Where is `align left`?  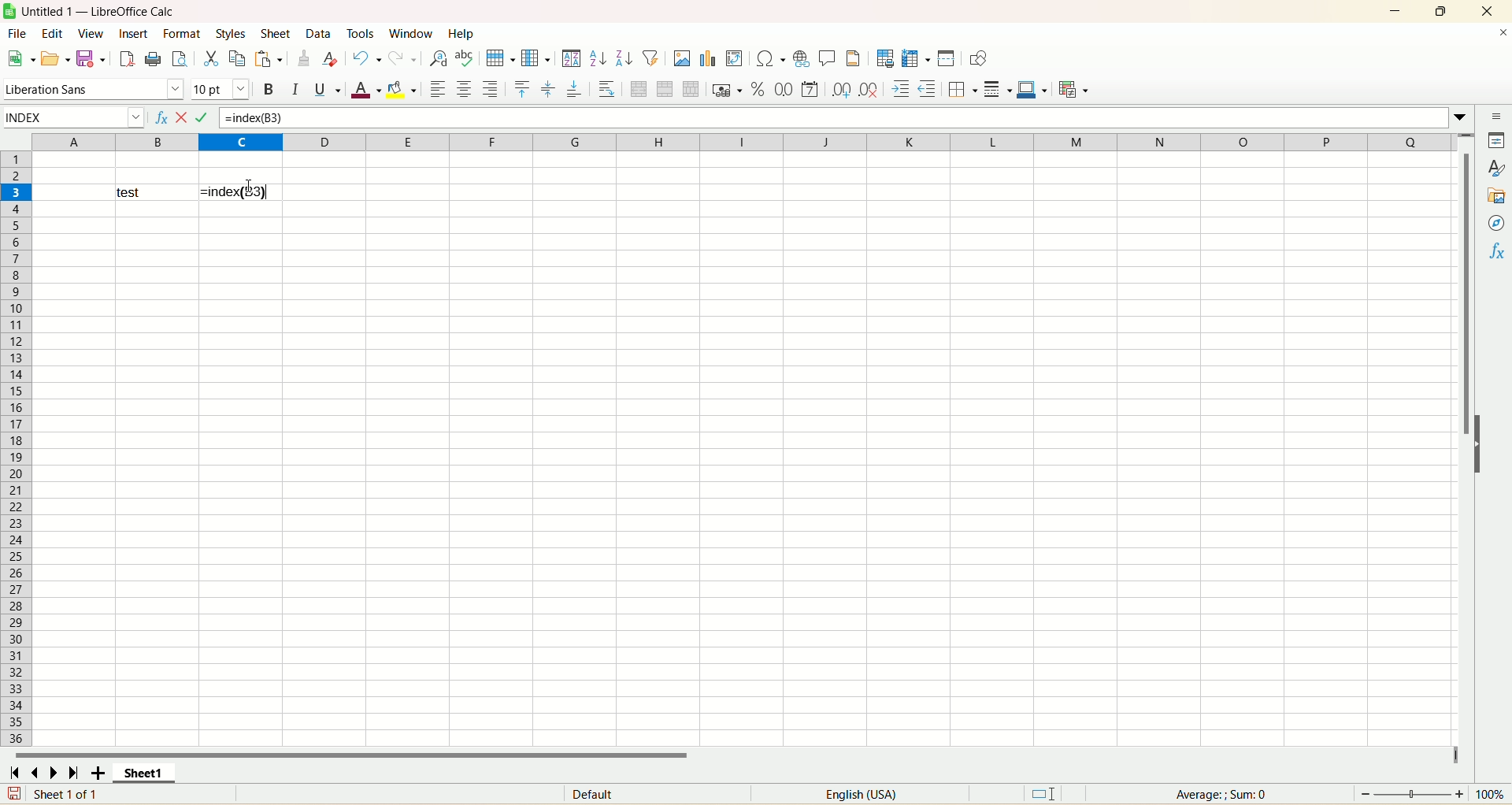 align left is located at coordinates (491, 89).